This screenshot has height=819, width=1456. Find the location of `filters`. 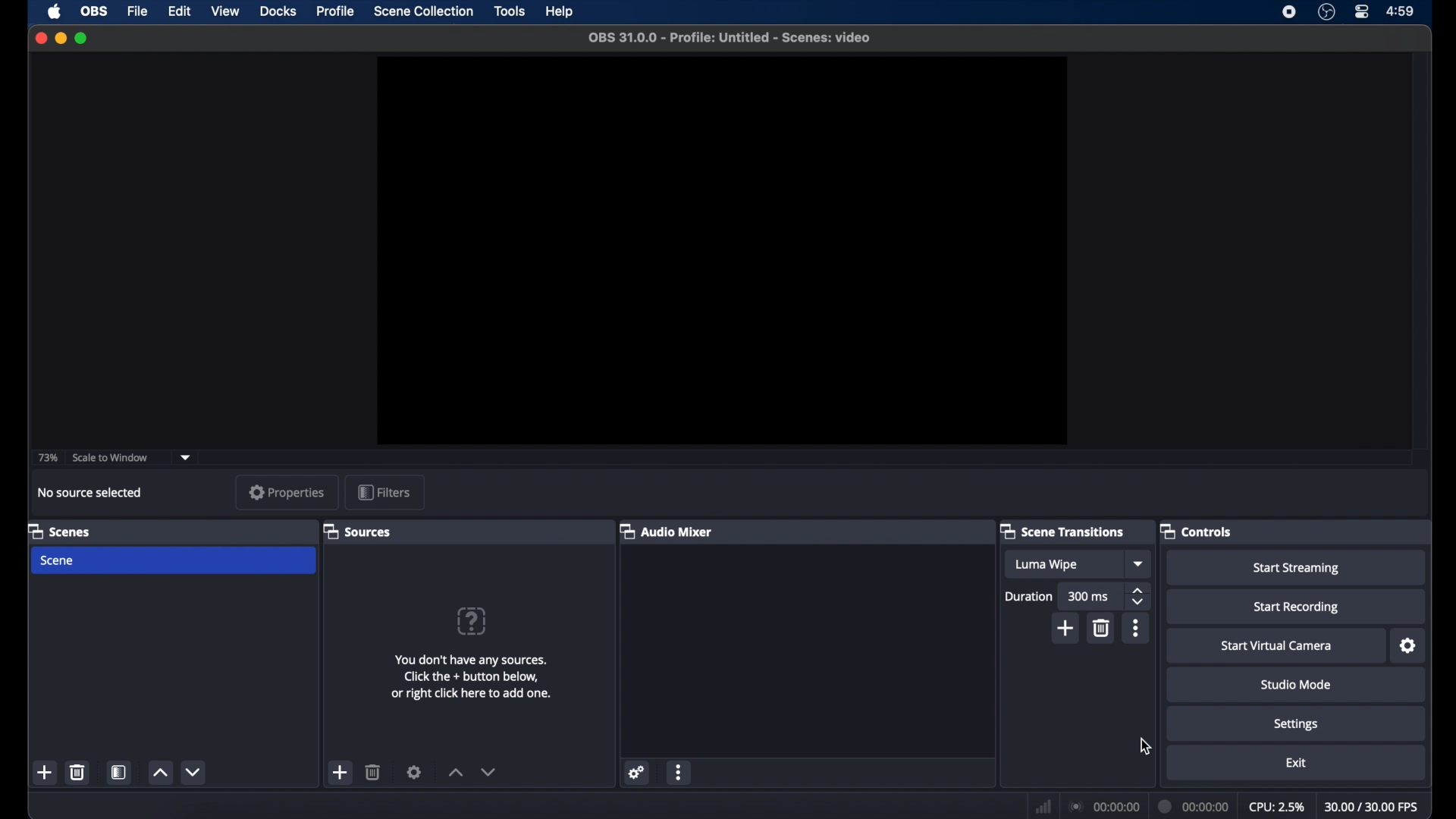

filters is located at coordinates (385, 492).